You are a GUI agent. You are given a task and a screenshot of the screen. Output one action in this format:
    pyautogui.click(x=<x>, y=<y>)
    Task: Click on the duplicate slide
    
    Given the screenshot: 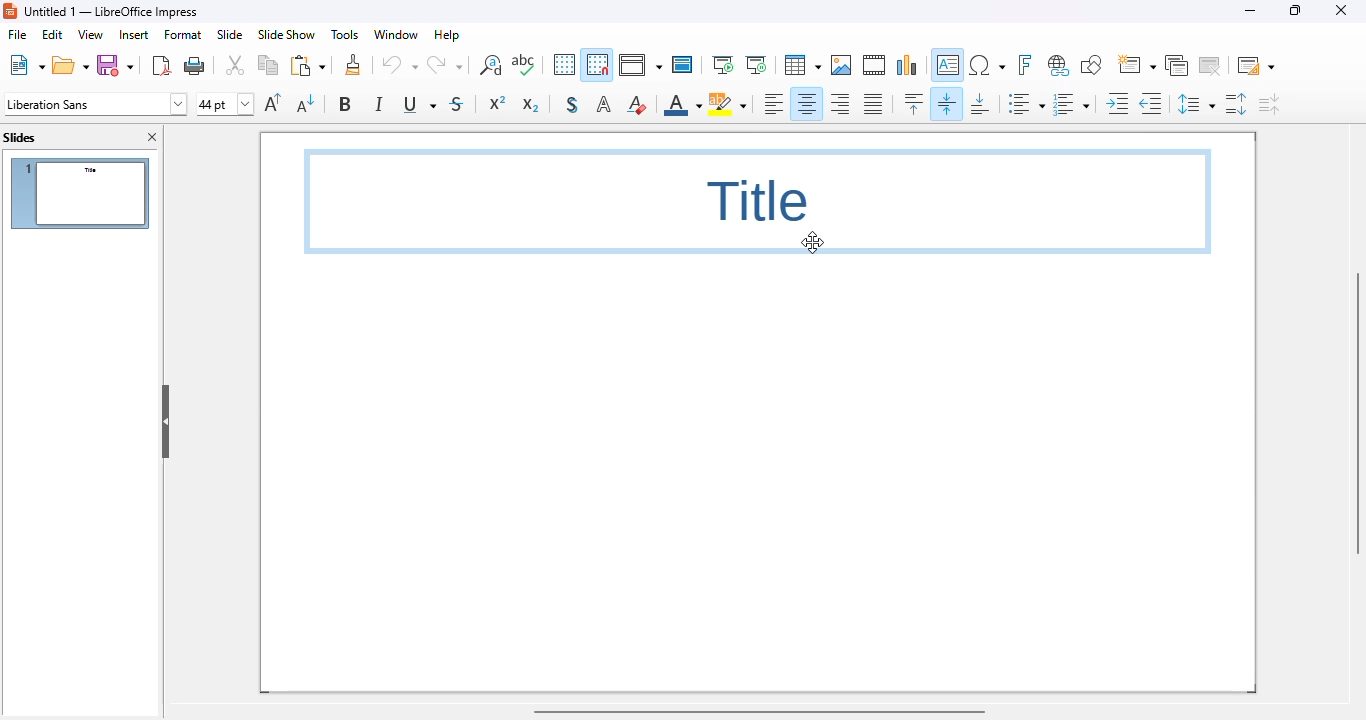 What is the action you would take?
    pyautogui.click(x=1177, y=65)
    